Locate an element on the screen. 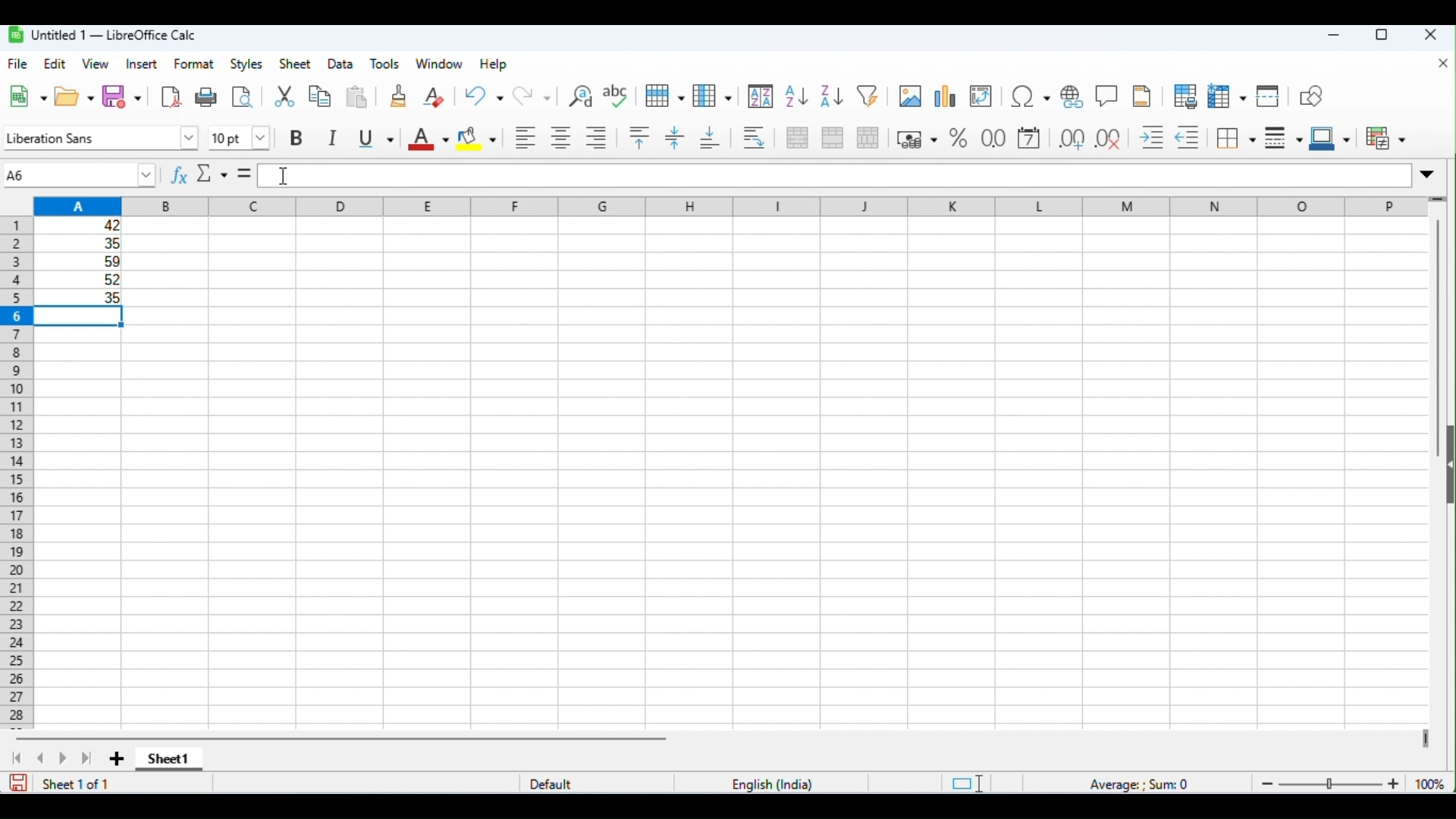 This screenshot has width=1456, height=819. align right is located at coordinates (596, 136).